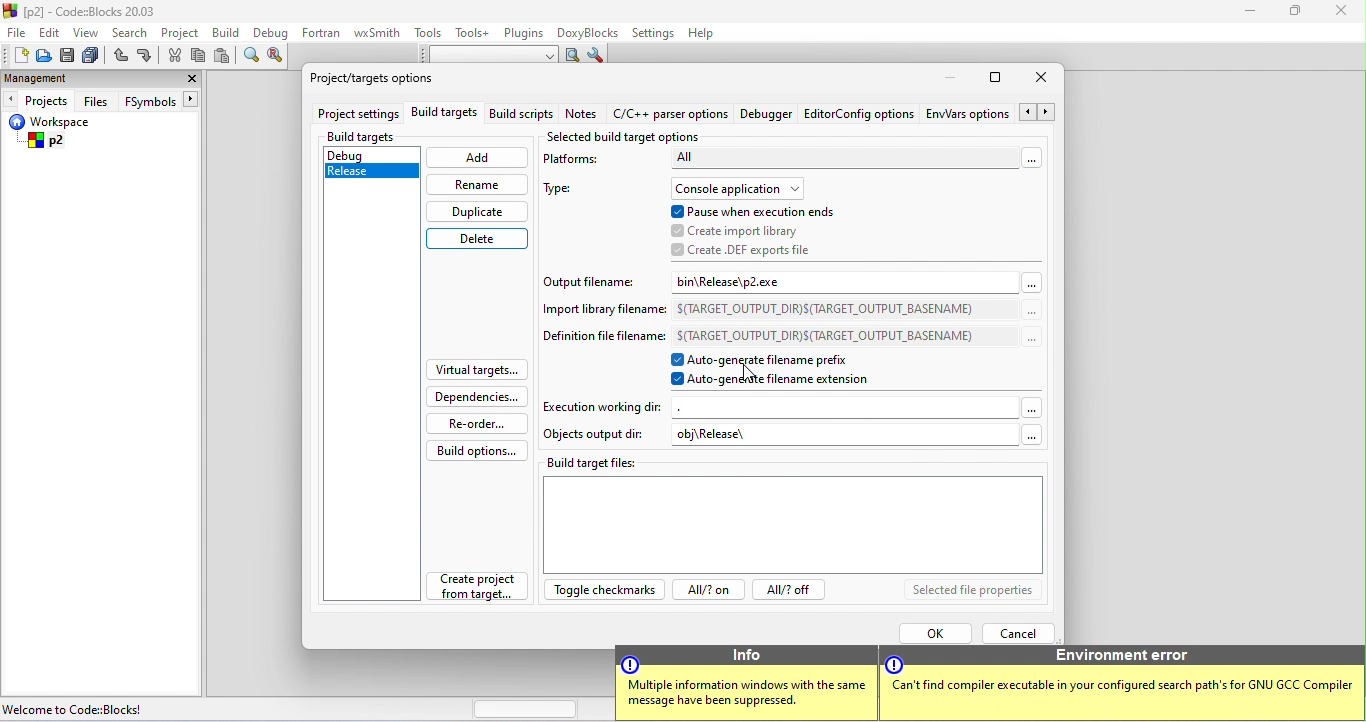 The width and height of the screenshot is (1366, 722). What do you see at coordinates (670, 115) in the screenshot?
I see `c/c++ parser option` at bounding box center [670, 115].